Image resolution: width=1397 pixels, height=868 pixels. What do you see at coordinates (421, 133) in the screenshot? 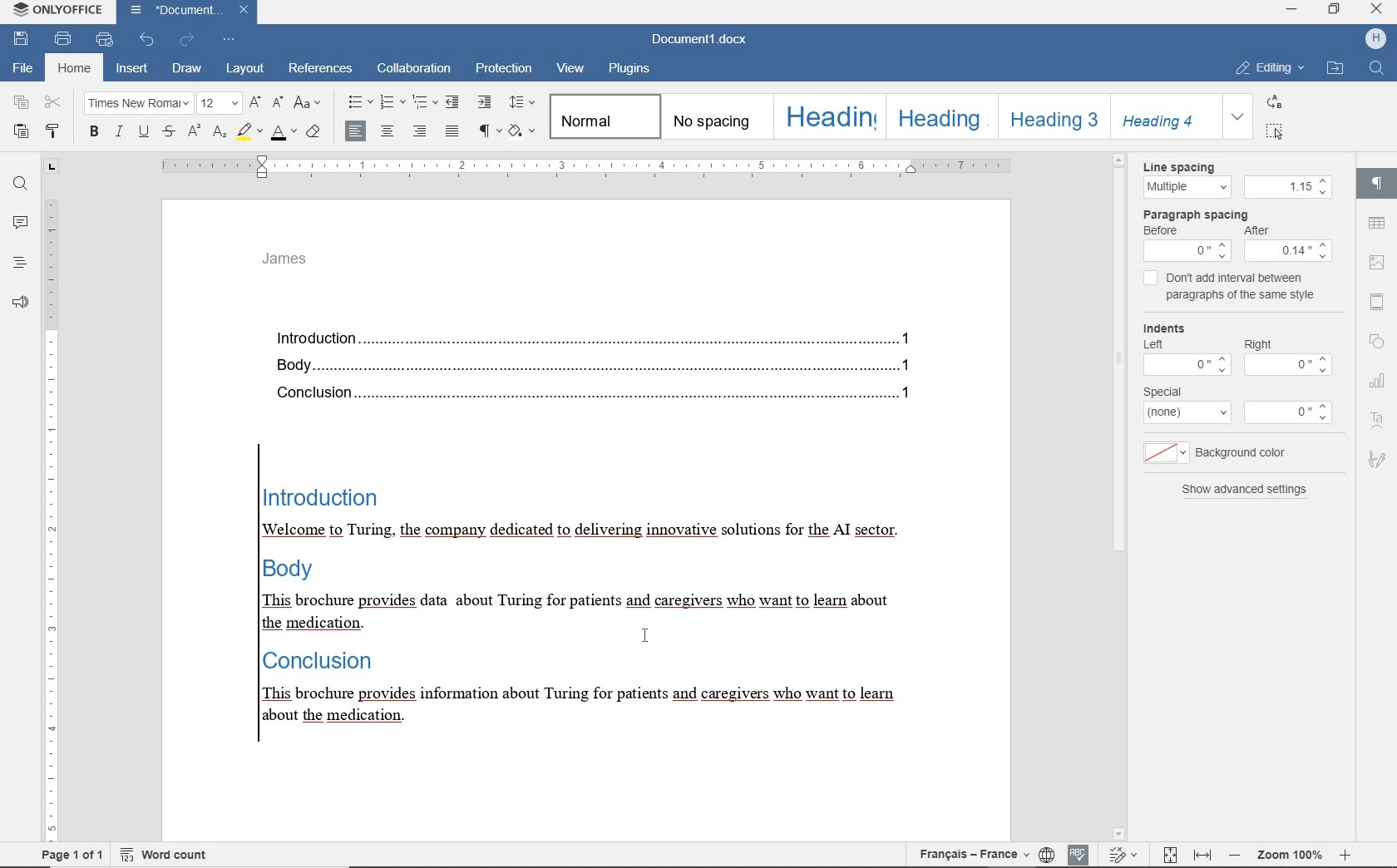
I see `align right` at bounding box center [421, 133].